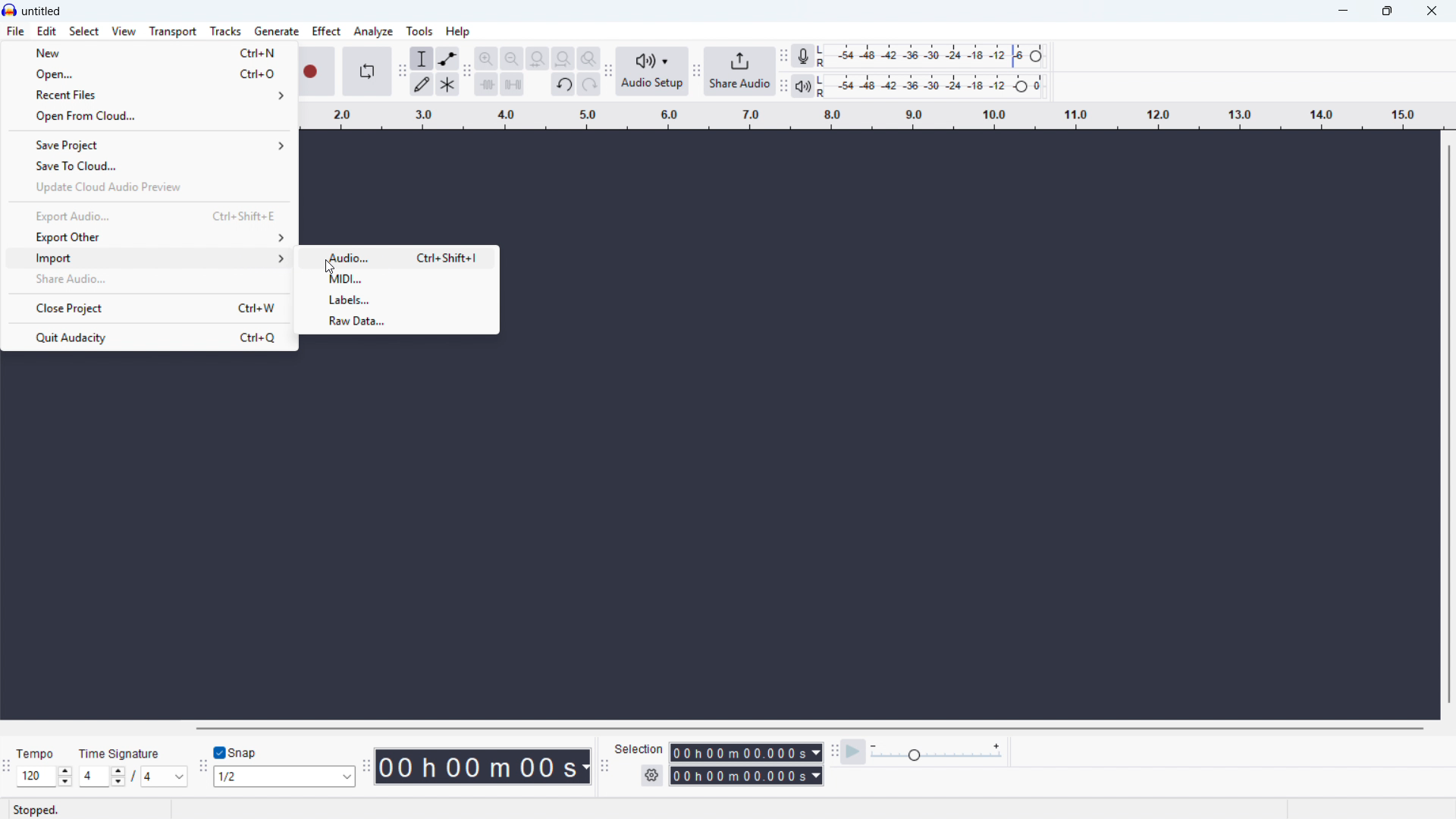  What do you see at coordinates (148, 307) in the screenshot?
I see `Close project ` at bounding box center [148, 307].